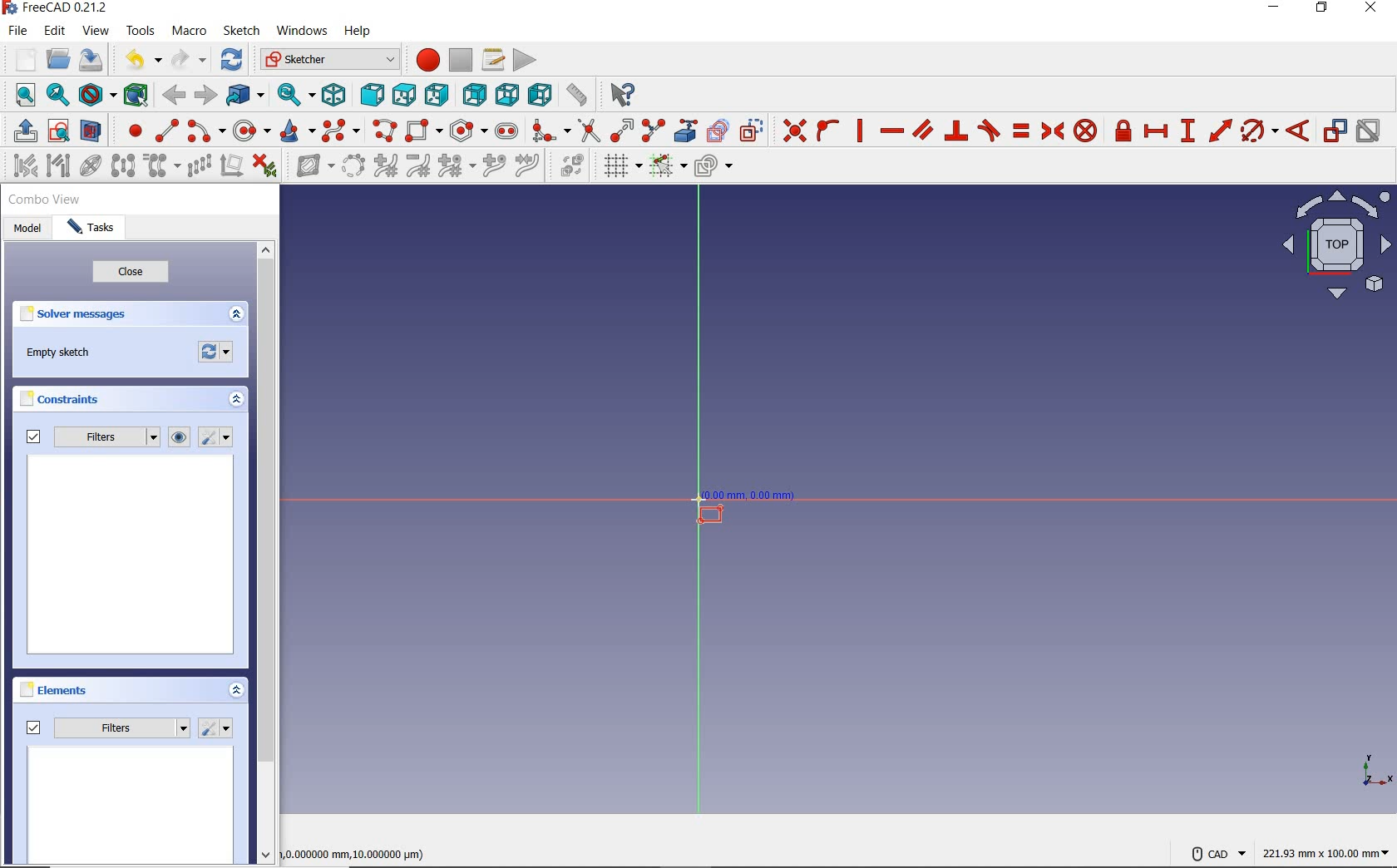 This screenshot has width=1397, height=868. What do you see at coordinates (217, 728) in the screenshot?
I see `settings` at bounding box center [217, 728].